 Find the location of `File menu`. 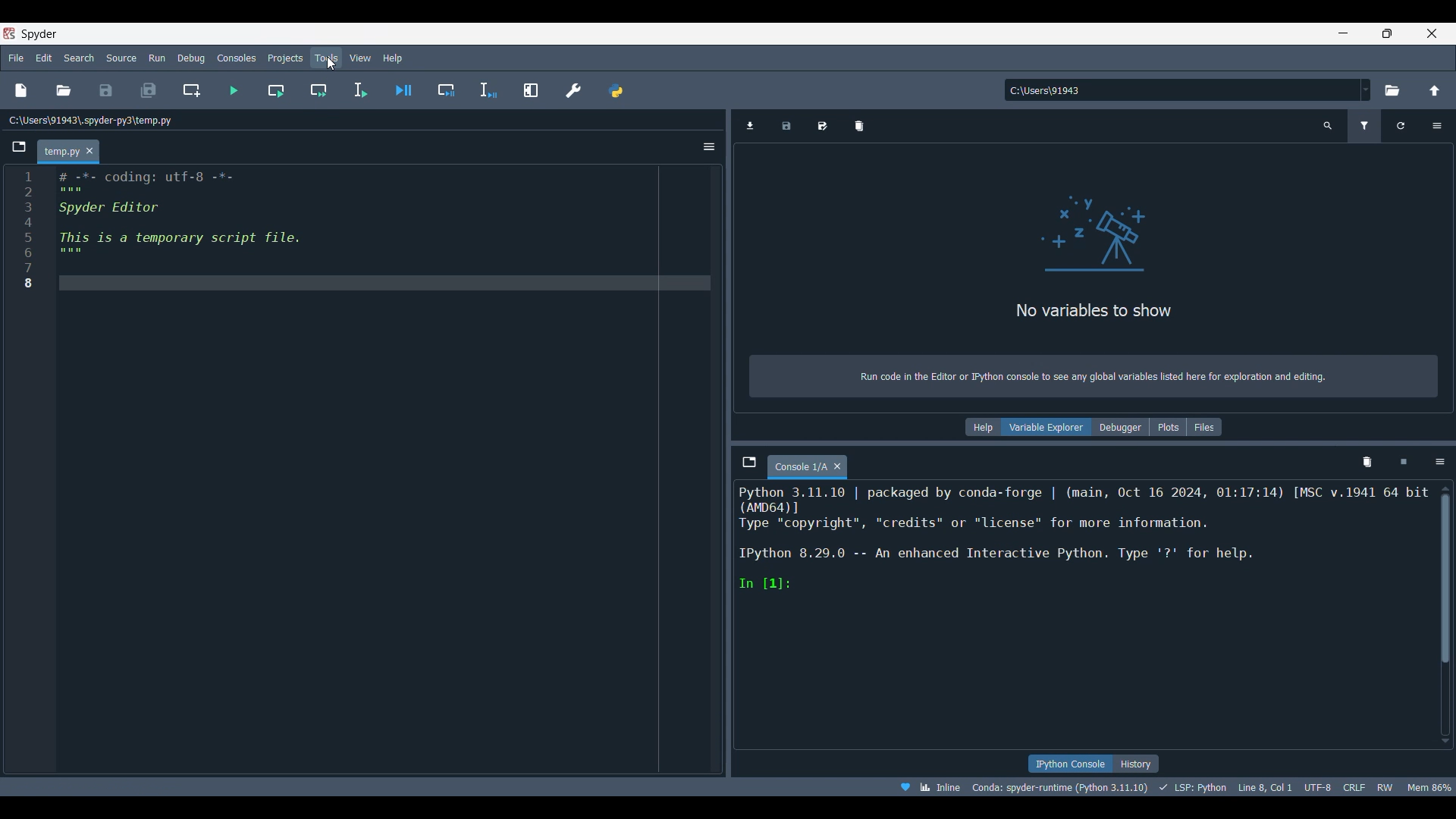

File menu is located at coordinates (16, 55).